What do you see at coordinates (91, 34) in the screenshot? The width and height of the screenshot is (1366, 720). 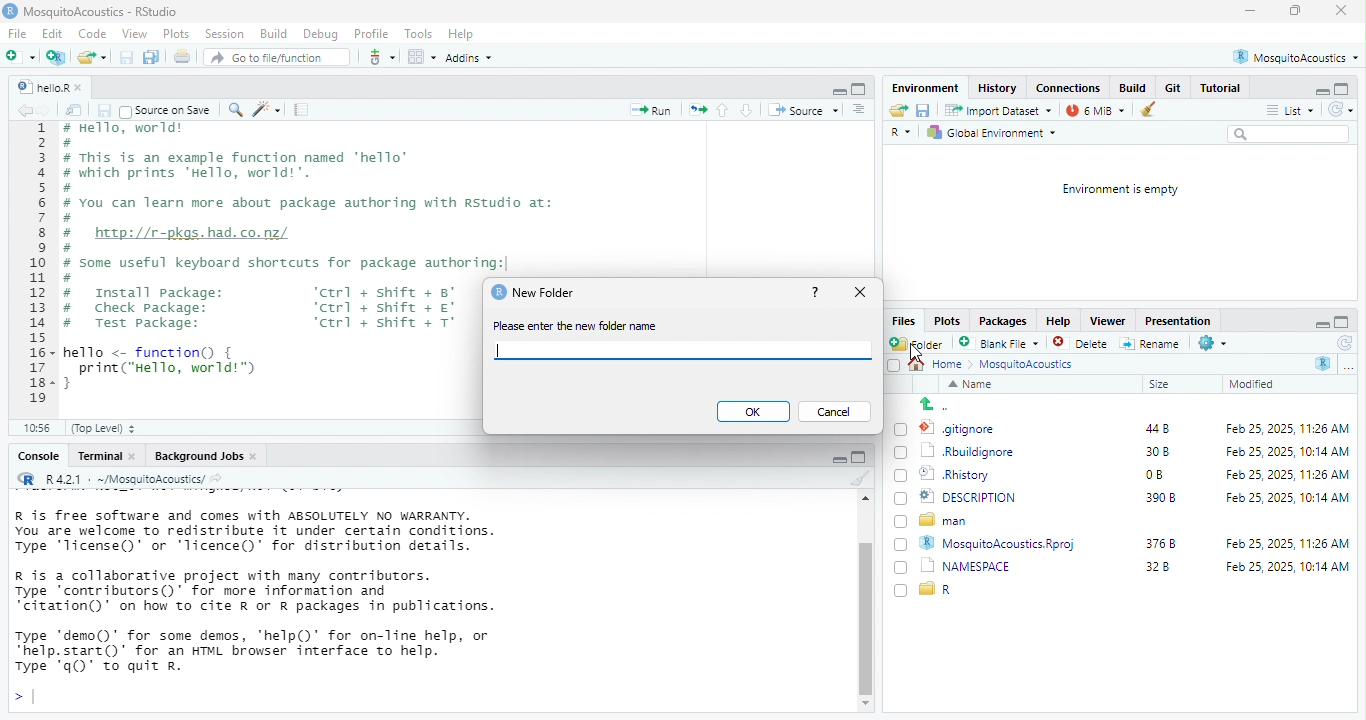 I see `Code` at bounding box center [91, 34].